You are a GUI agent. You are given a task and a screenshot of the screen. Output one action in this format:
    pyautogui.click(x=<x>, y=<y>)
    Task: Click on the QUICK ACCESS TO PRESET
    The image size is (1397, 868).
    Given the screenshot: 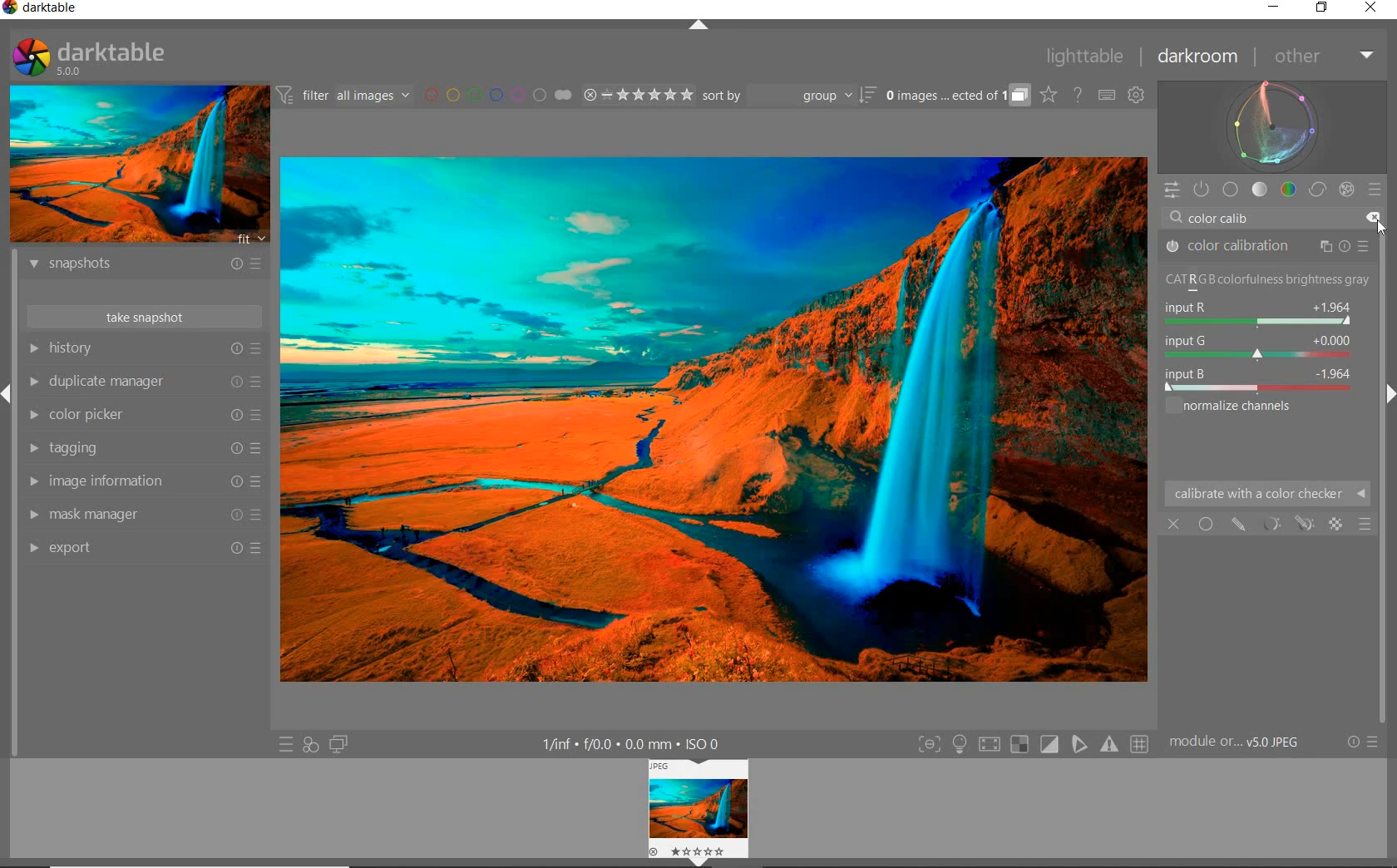 What is the action you would take?
    pyautogui.click(x=285, y=743)
    